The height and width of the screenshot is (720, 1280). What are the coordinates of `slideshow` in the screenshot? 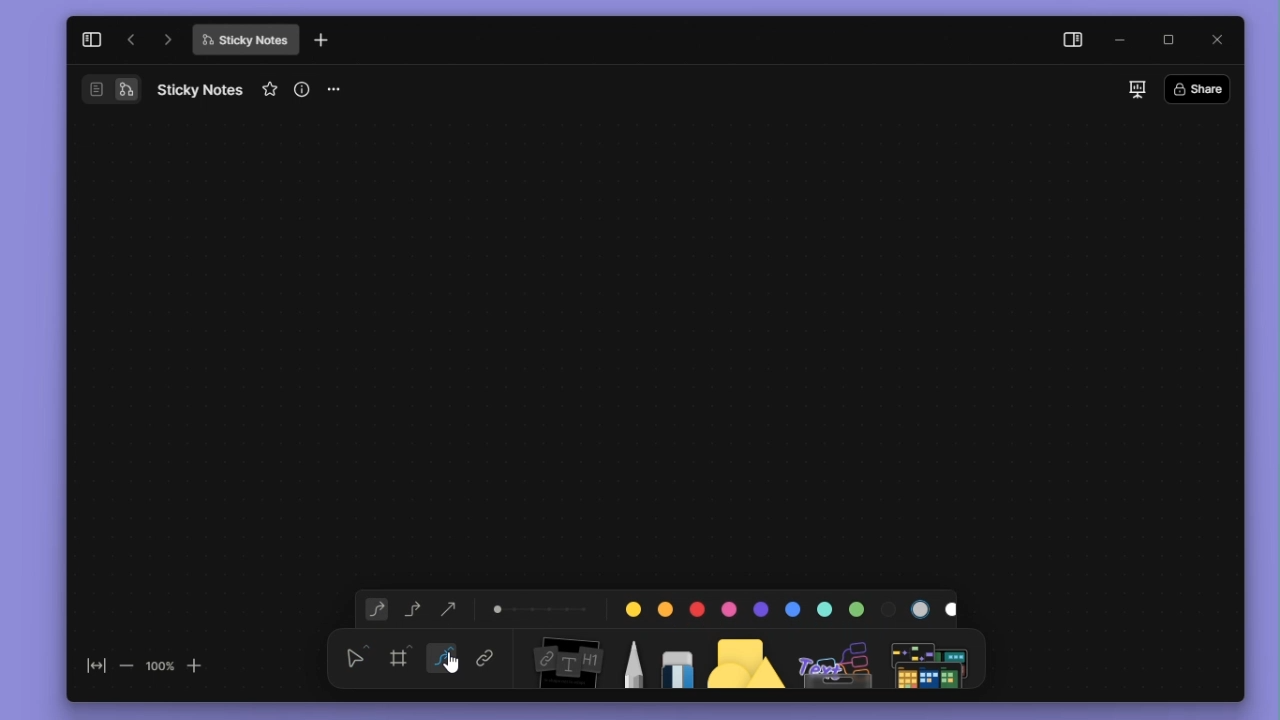 It's located at (1136, 89).